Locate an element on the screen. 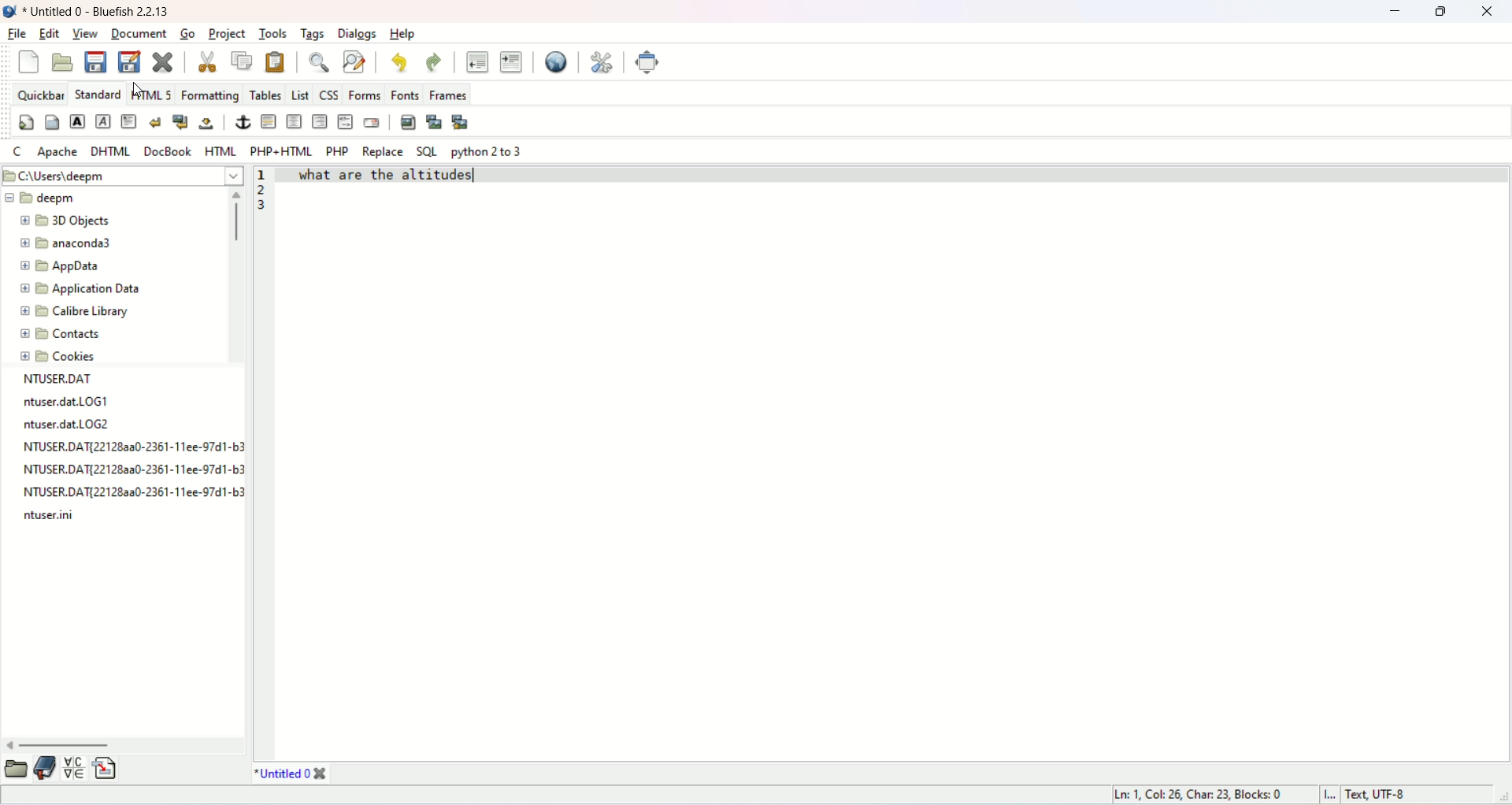  text is located at coordinates (130, 448).